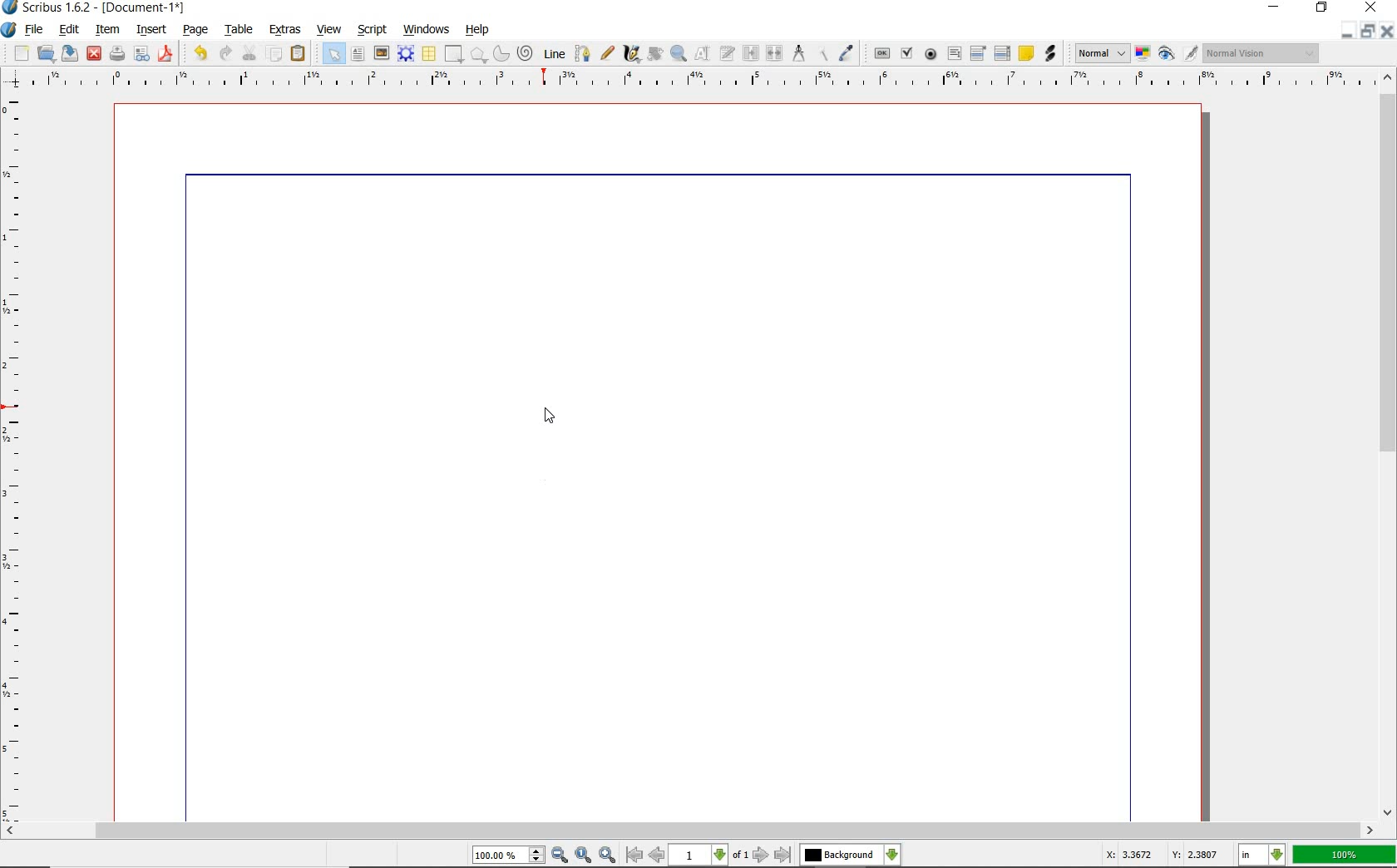 The height and width of the screenshot is (868, 1397). Describe the element at coordinates (691, 830) in the screenshot. I see `scrollbar` at that location.